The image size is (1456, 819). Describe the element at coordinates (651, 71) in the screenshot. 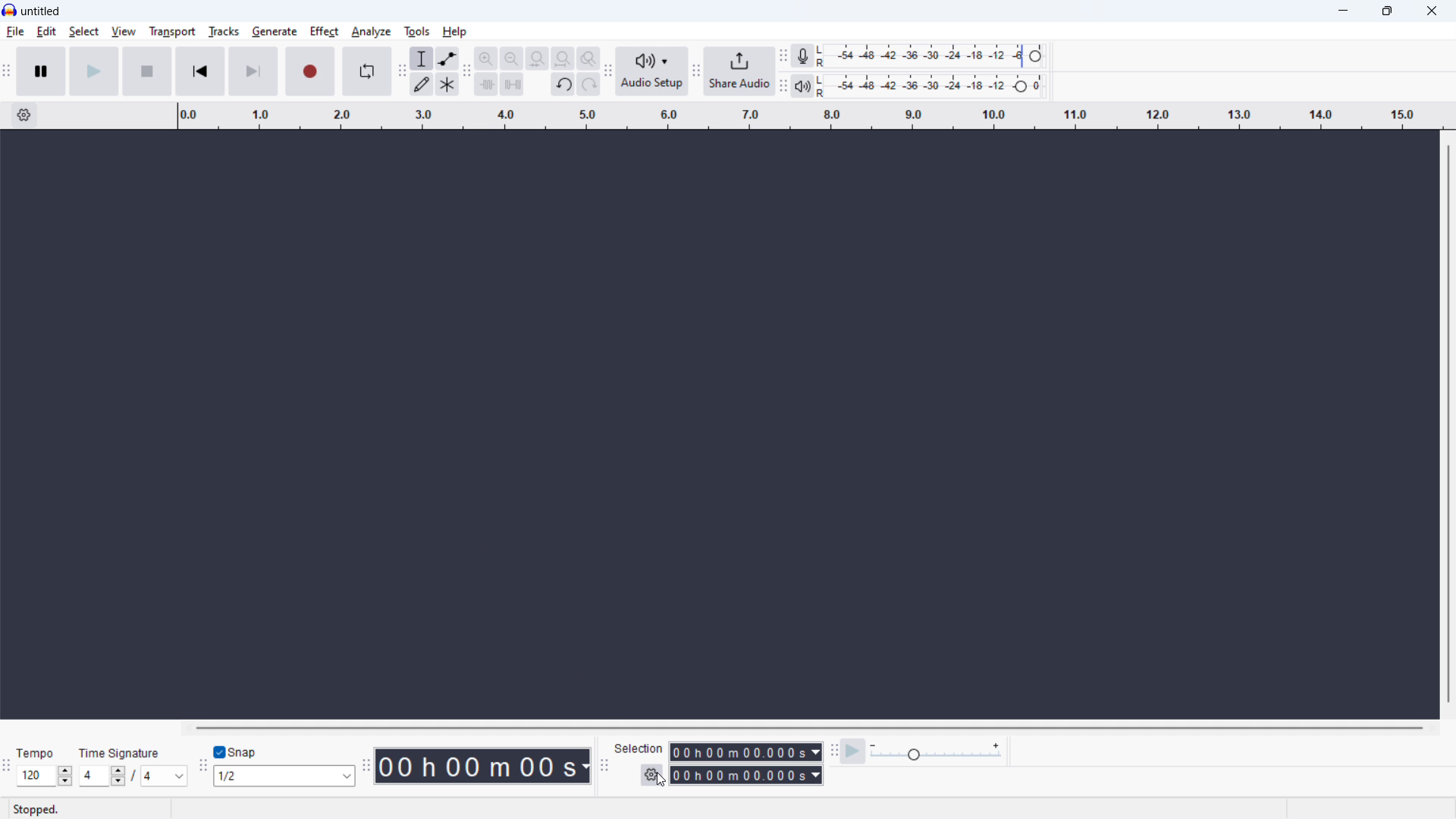

I see `audio setup` at that location.